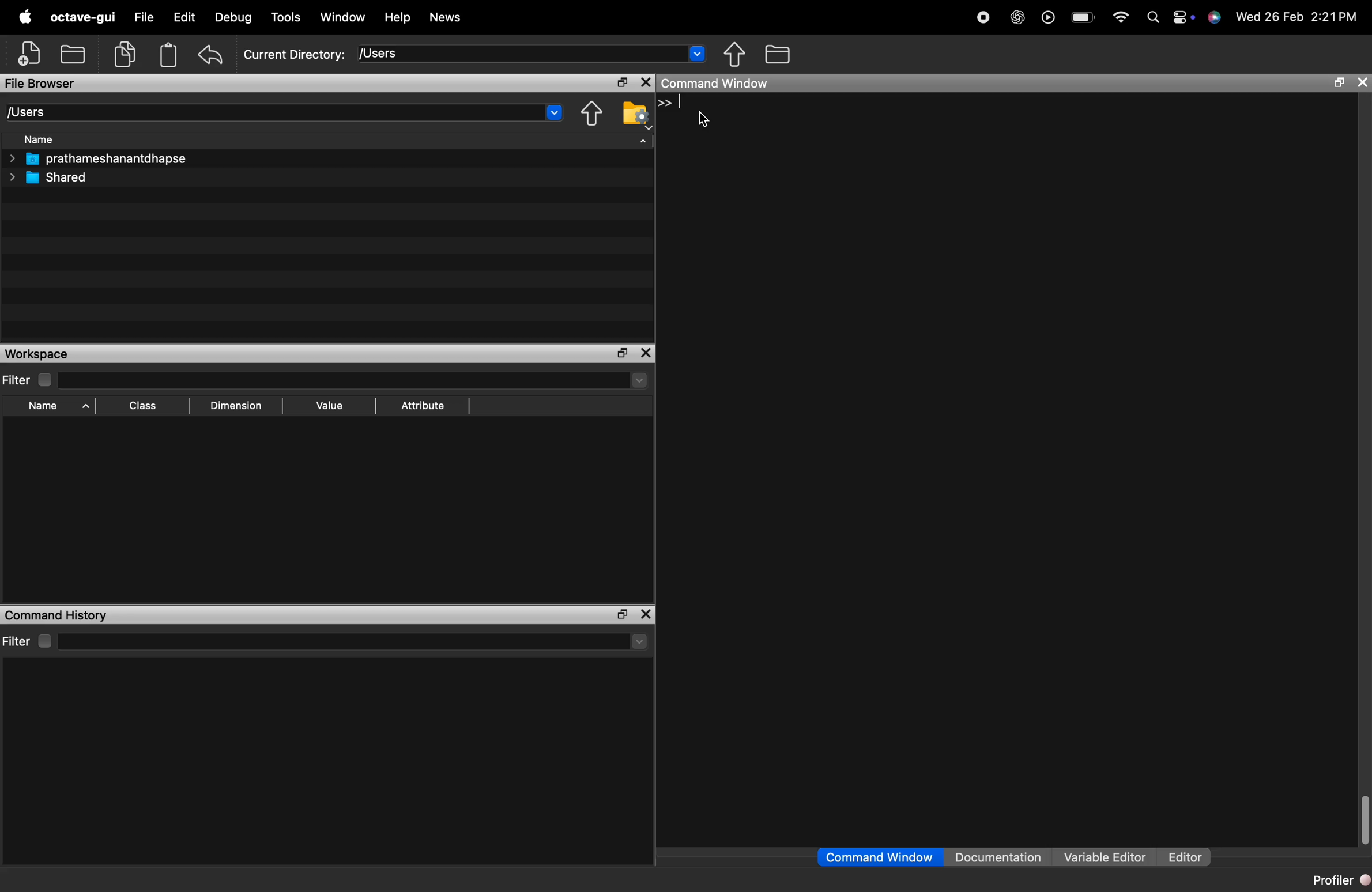 The width and height of the screenshot is (1372, 892). Describe the element at coordinates (1190, 856) in the screenshot. I see `Editor` at that location.